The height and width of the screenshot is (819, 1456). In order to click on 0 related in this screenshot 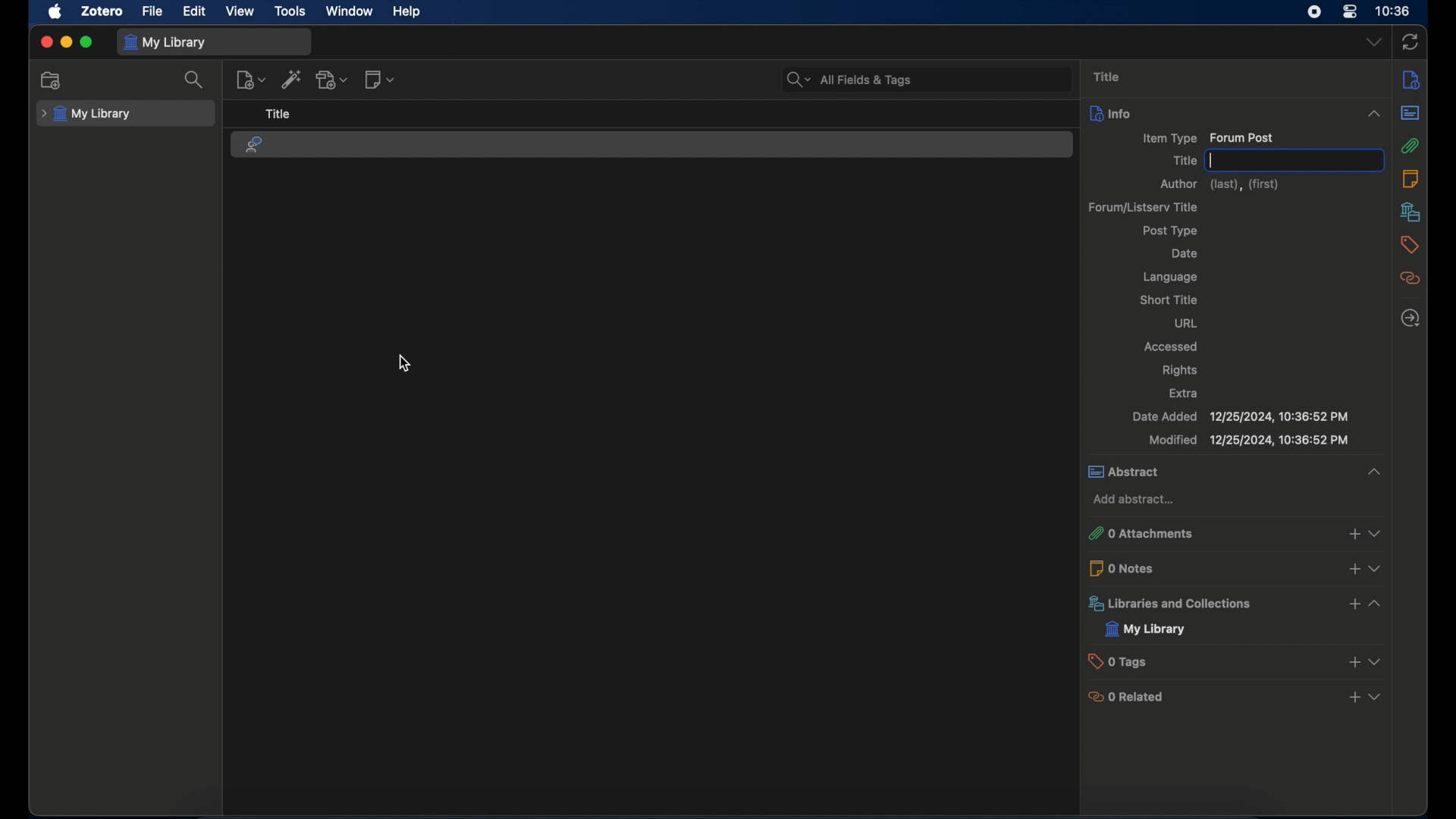, I will do `click(1237, 697)`.